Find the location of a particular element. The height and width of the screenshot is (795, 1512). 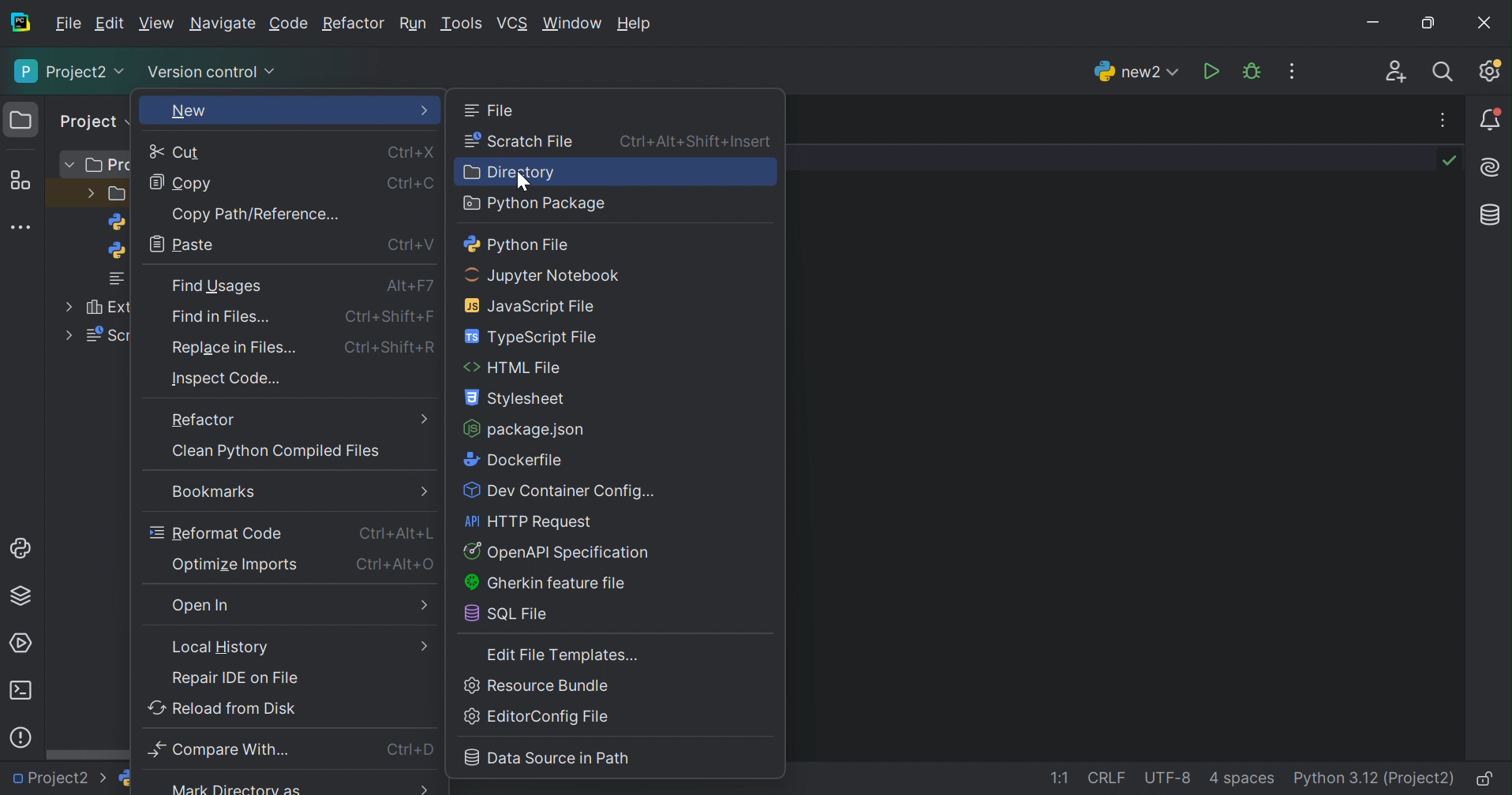

notes is located at coordinates (122, 280).